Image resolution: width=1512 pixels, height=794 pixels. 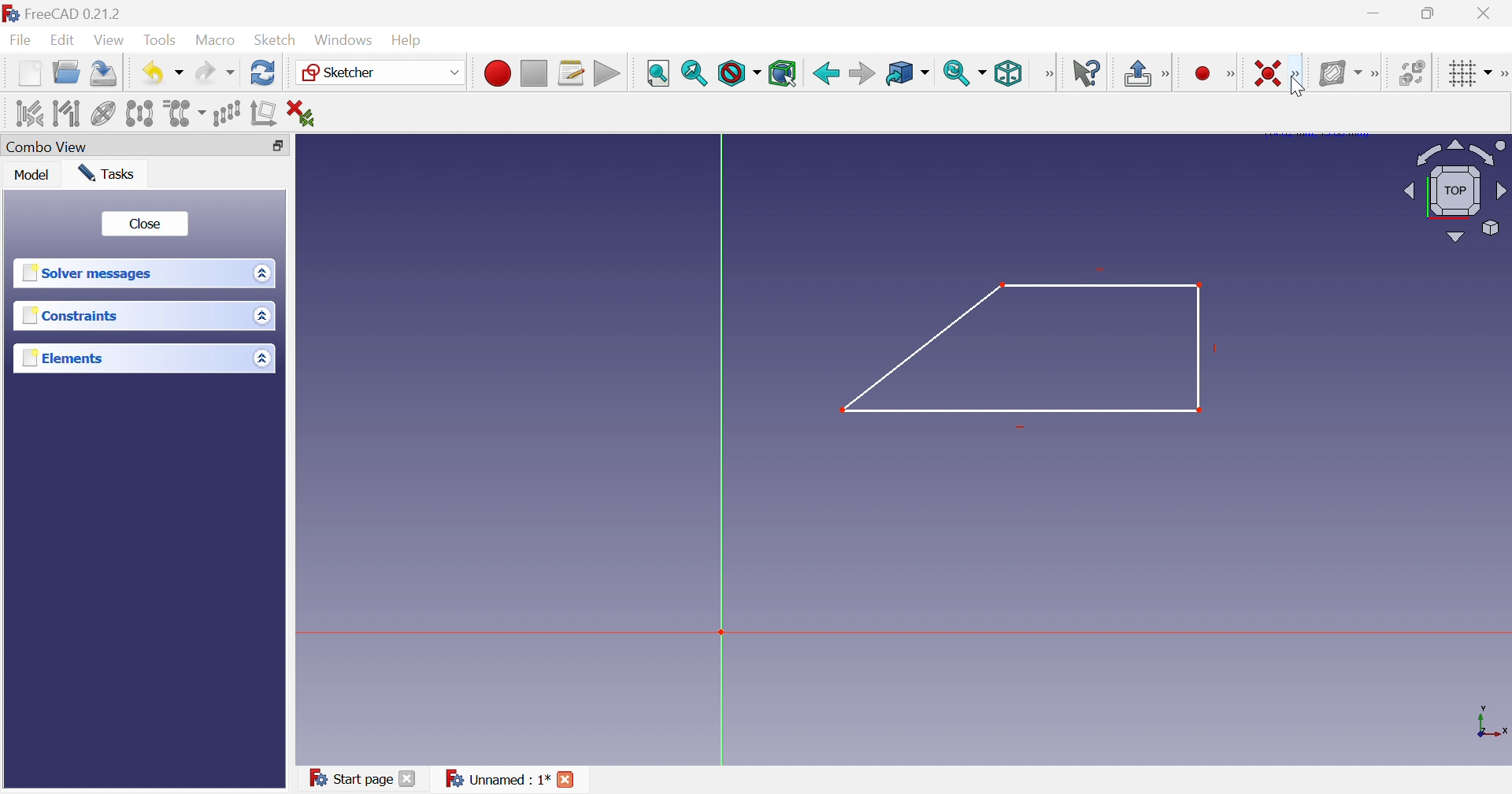 What do you see at coordinates (300, 112) in the screenshot?
I see `Delete all constraints` at bounding box center [300, 112].